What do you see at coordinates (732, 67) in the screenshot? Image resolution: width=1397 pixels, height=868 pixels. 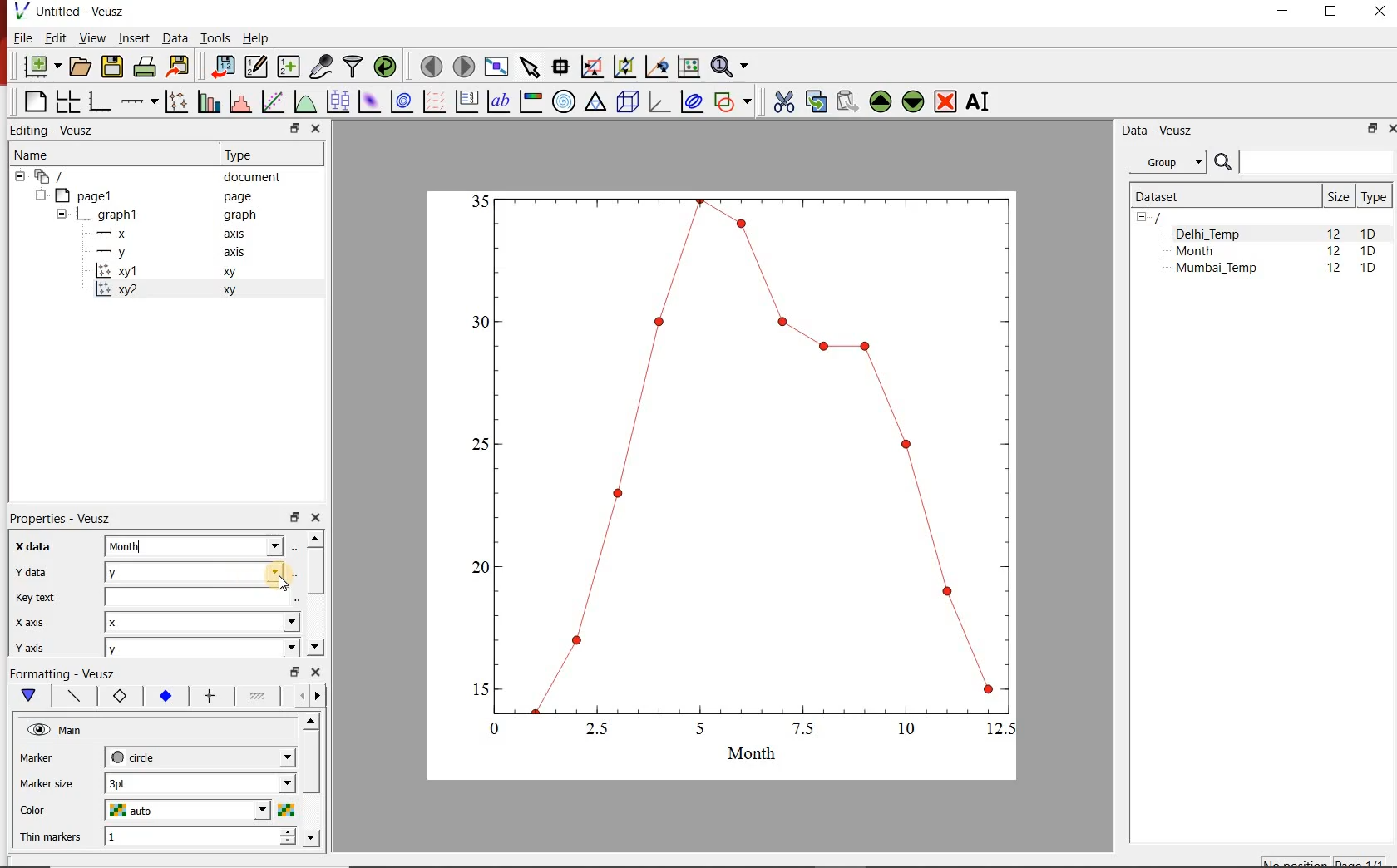 I see `zoom functions menu` at bounding box center [732, 67].